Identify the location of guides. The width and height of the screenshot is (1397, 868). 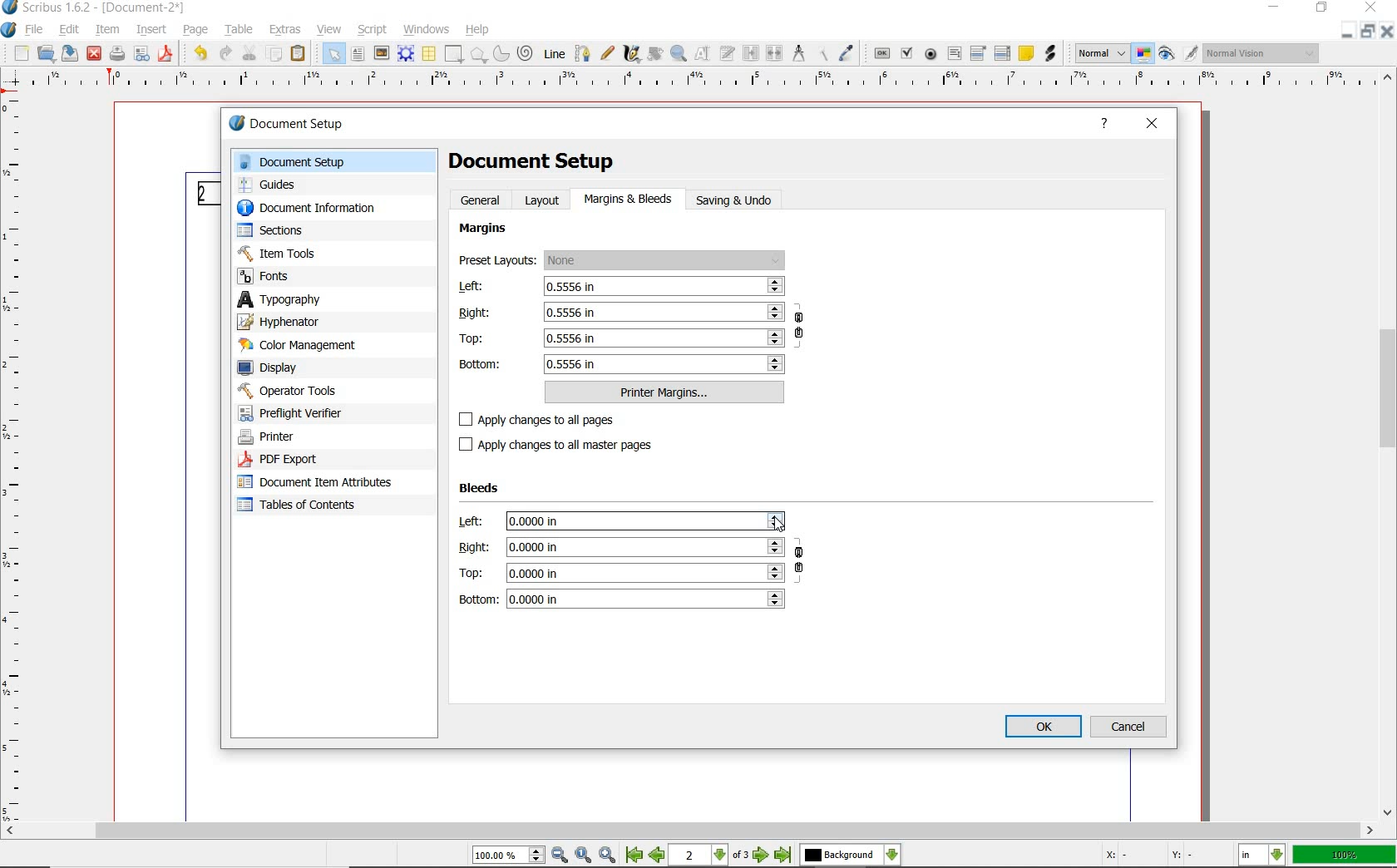
(274, 186).